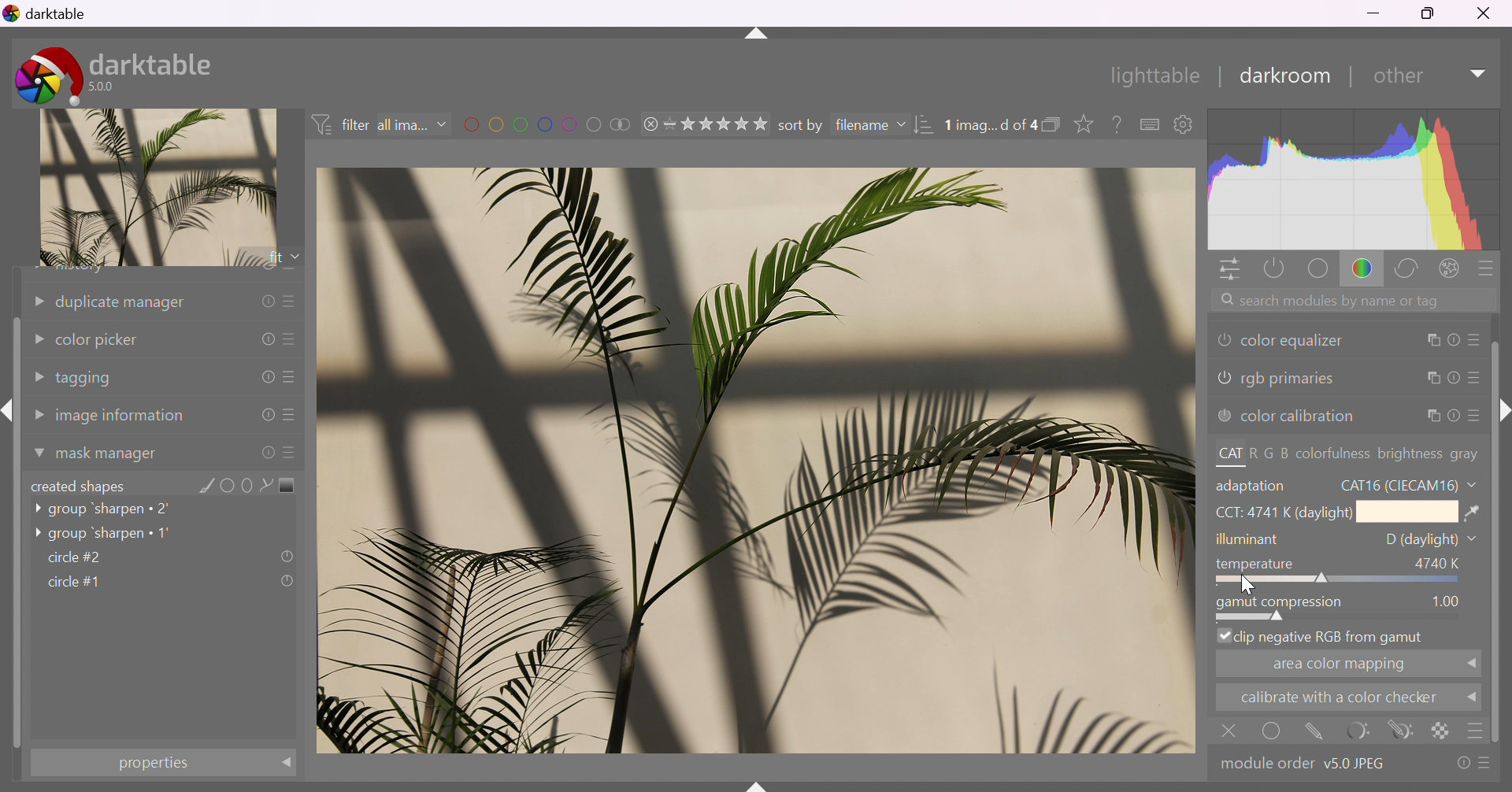  What do you see at coordinates (155, 65) in the screenshot?
I see `darktable` at bounding box center [155, 65].